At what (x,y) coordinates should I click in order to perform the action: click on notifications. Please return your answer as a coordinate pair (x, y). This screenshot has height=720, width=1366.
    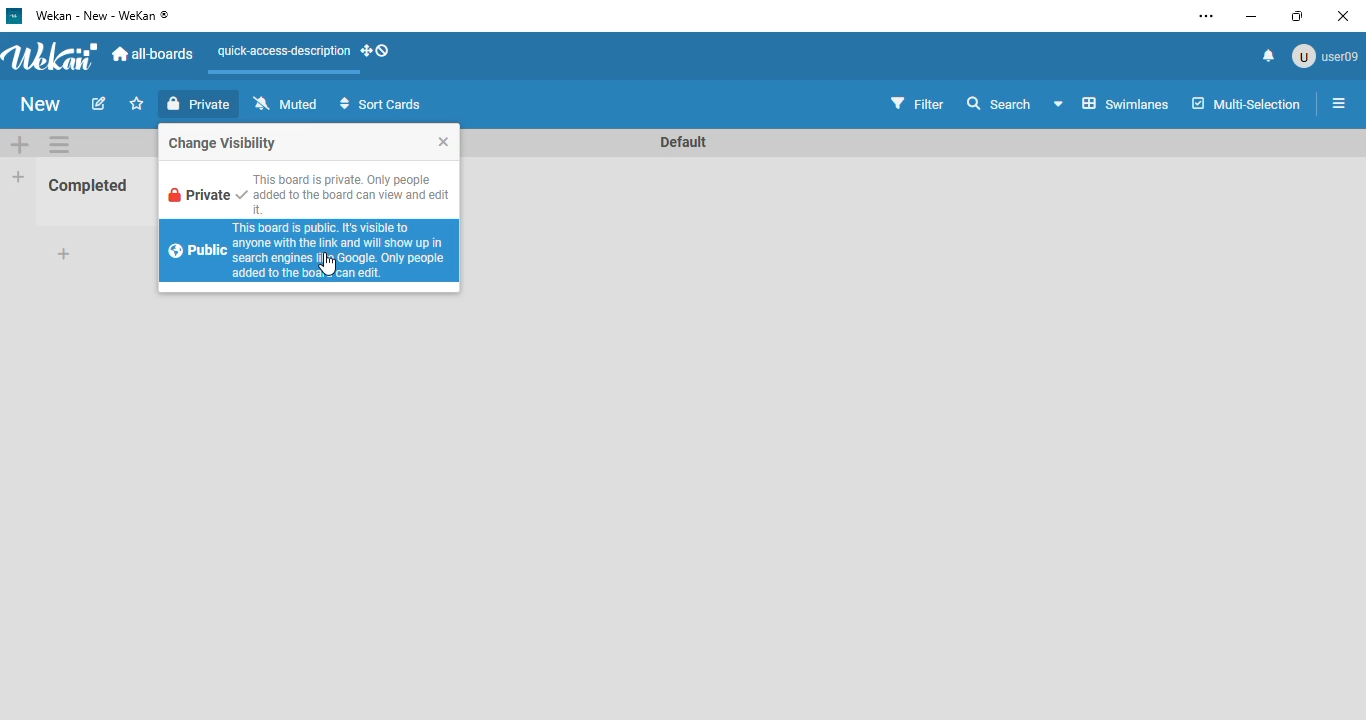
    Looking at the image, I should click on (1270, 55).